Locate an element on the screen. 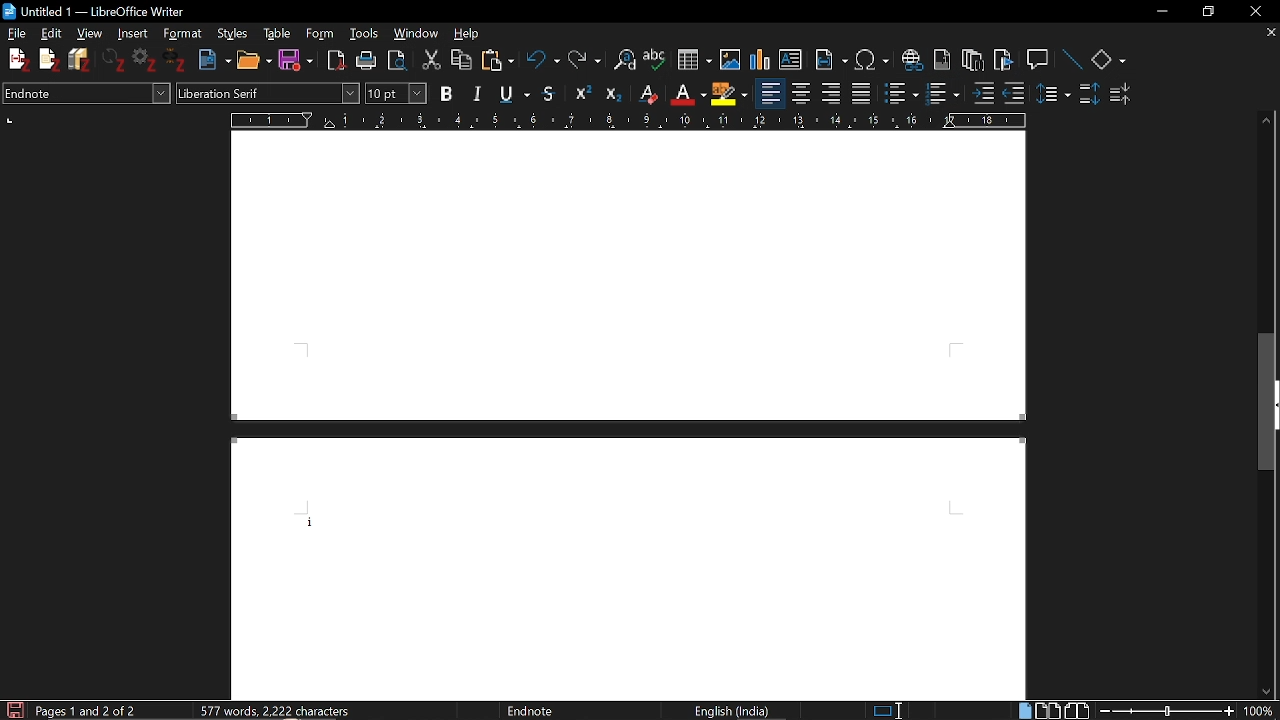  Windows is located at coordinates (418, 33).